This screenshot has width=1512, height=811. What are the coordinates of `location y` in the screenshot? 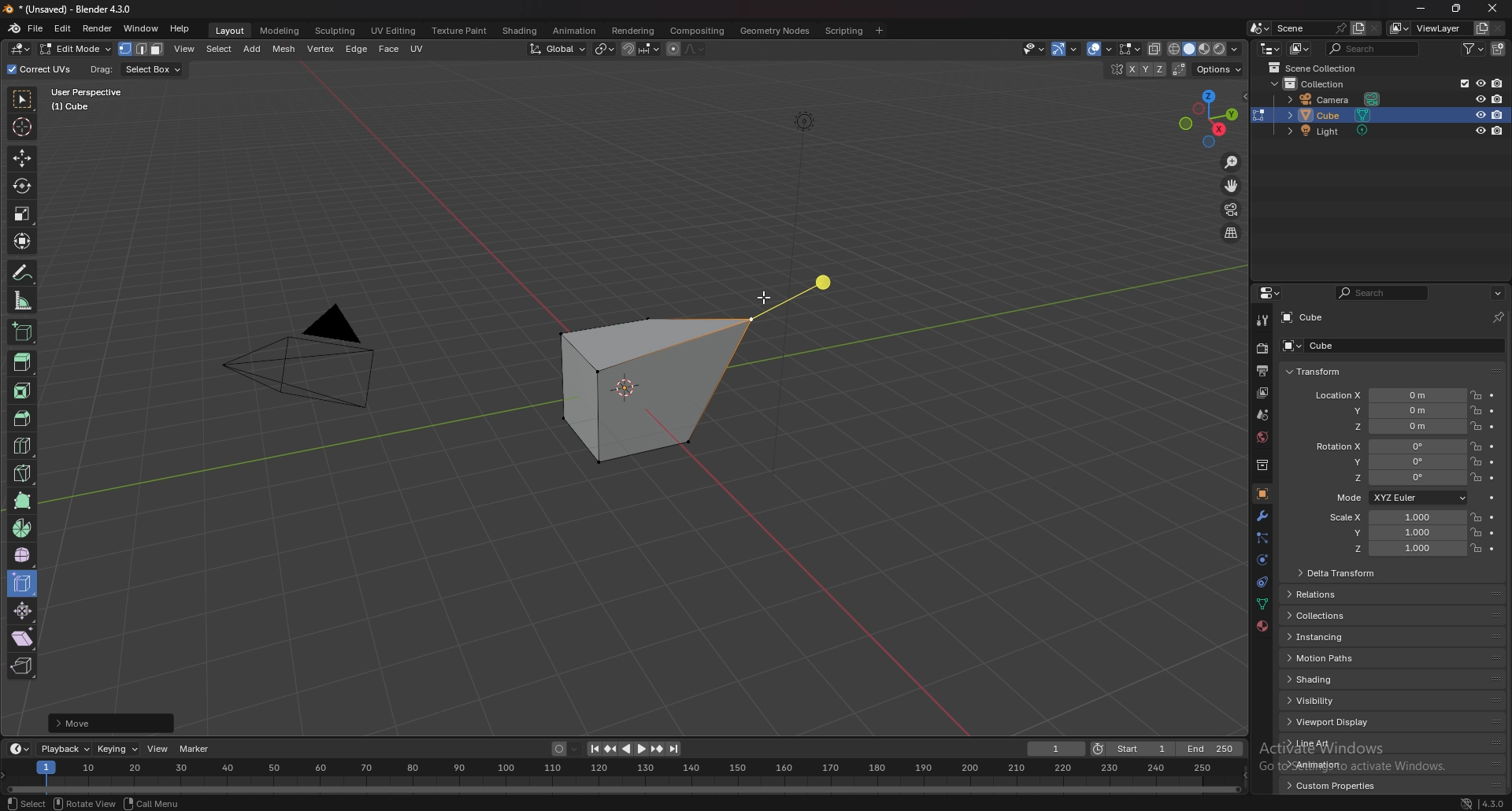 It's located at (1395, 410).